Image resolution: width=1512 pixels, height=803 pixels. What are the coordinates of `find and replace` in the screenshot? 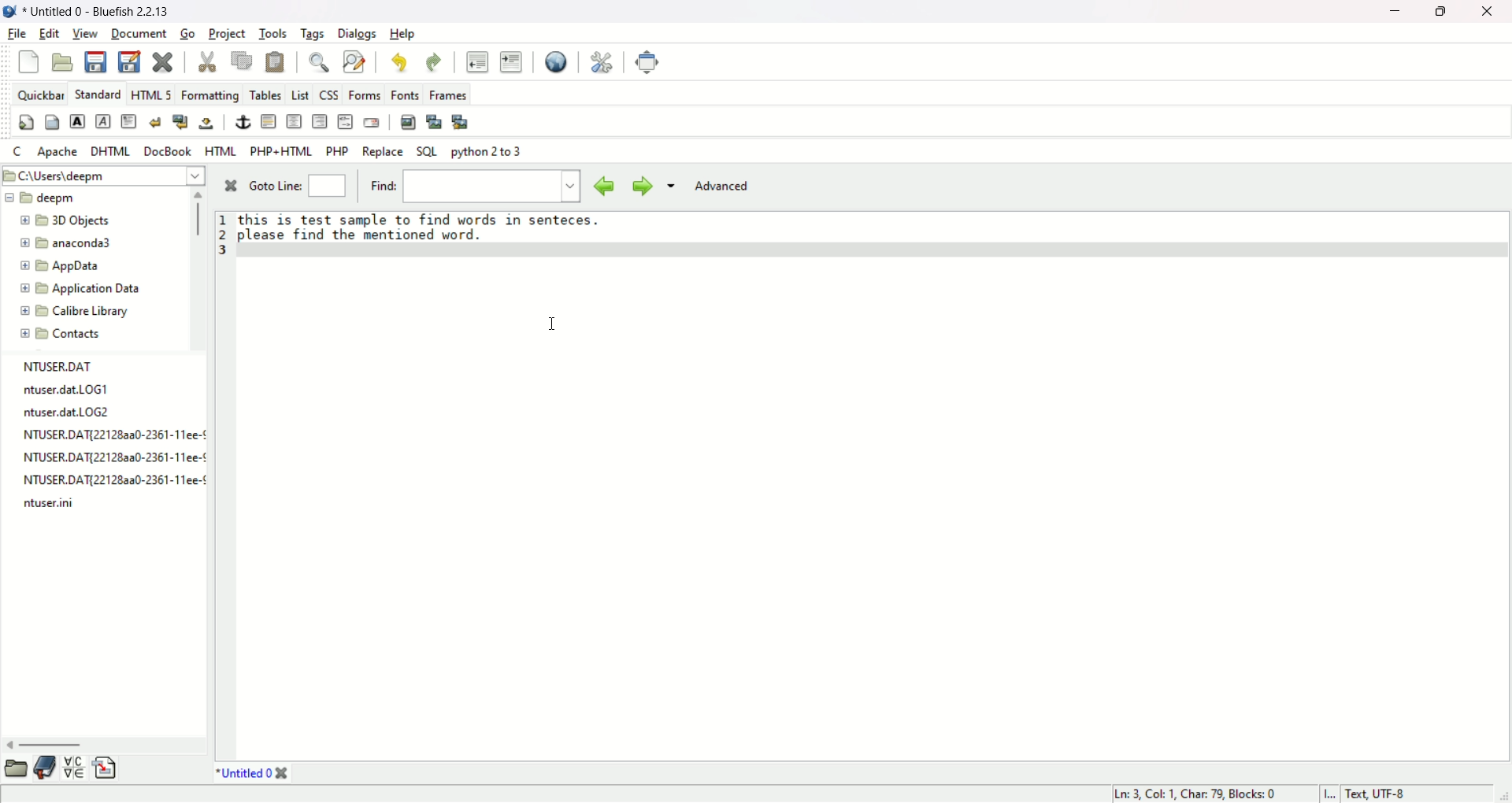 It's located at (353, 61).